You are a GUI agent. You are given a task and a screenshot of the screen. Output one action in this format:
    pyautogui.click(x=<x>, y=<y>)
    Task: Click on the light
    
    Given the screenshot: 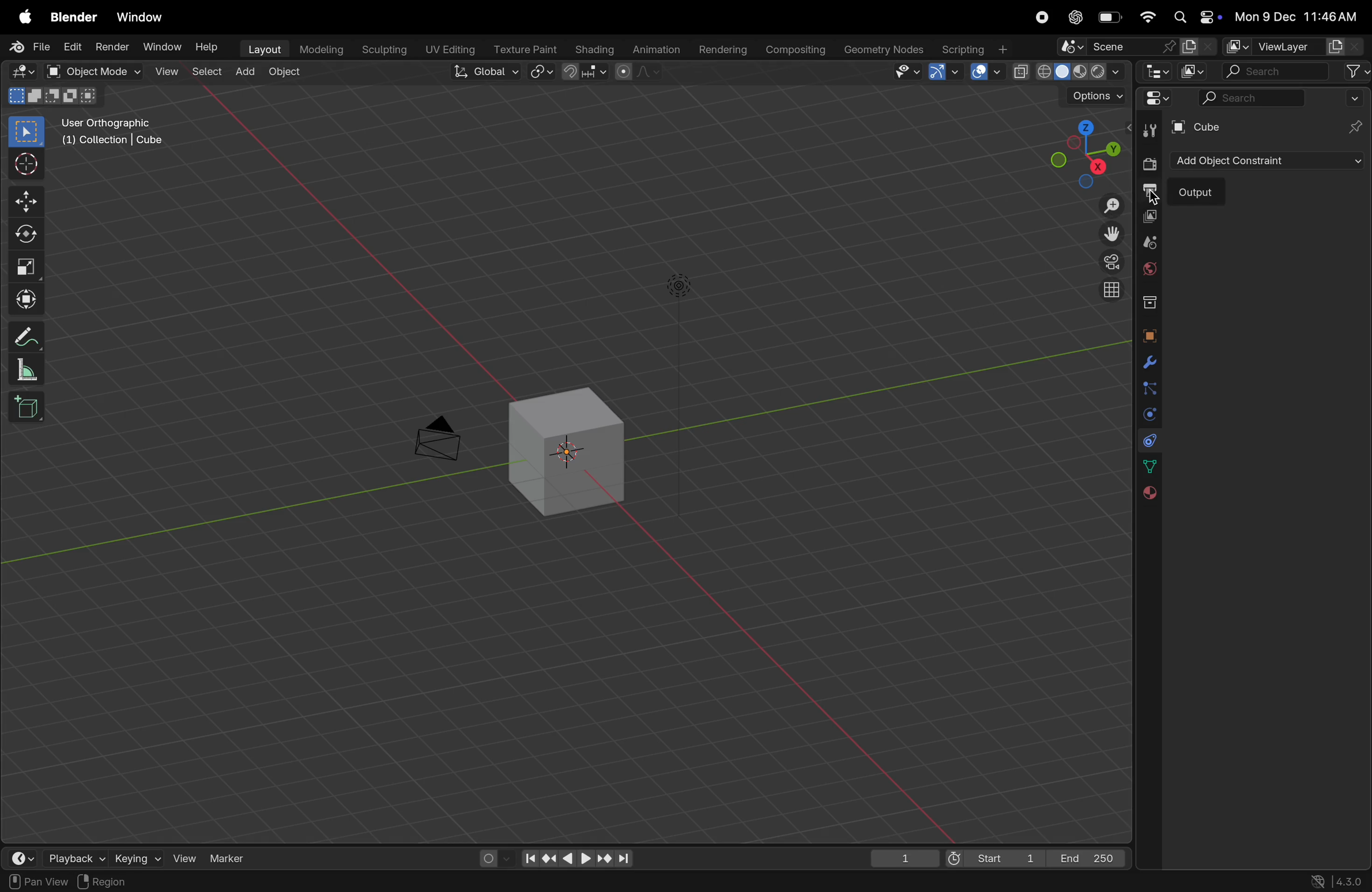 What is the action you would take?
    pyautogui.click(x=680, y=286)
    